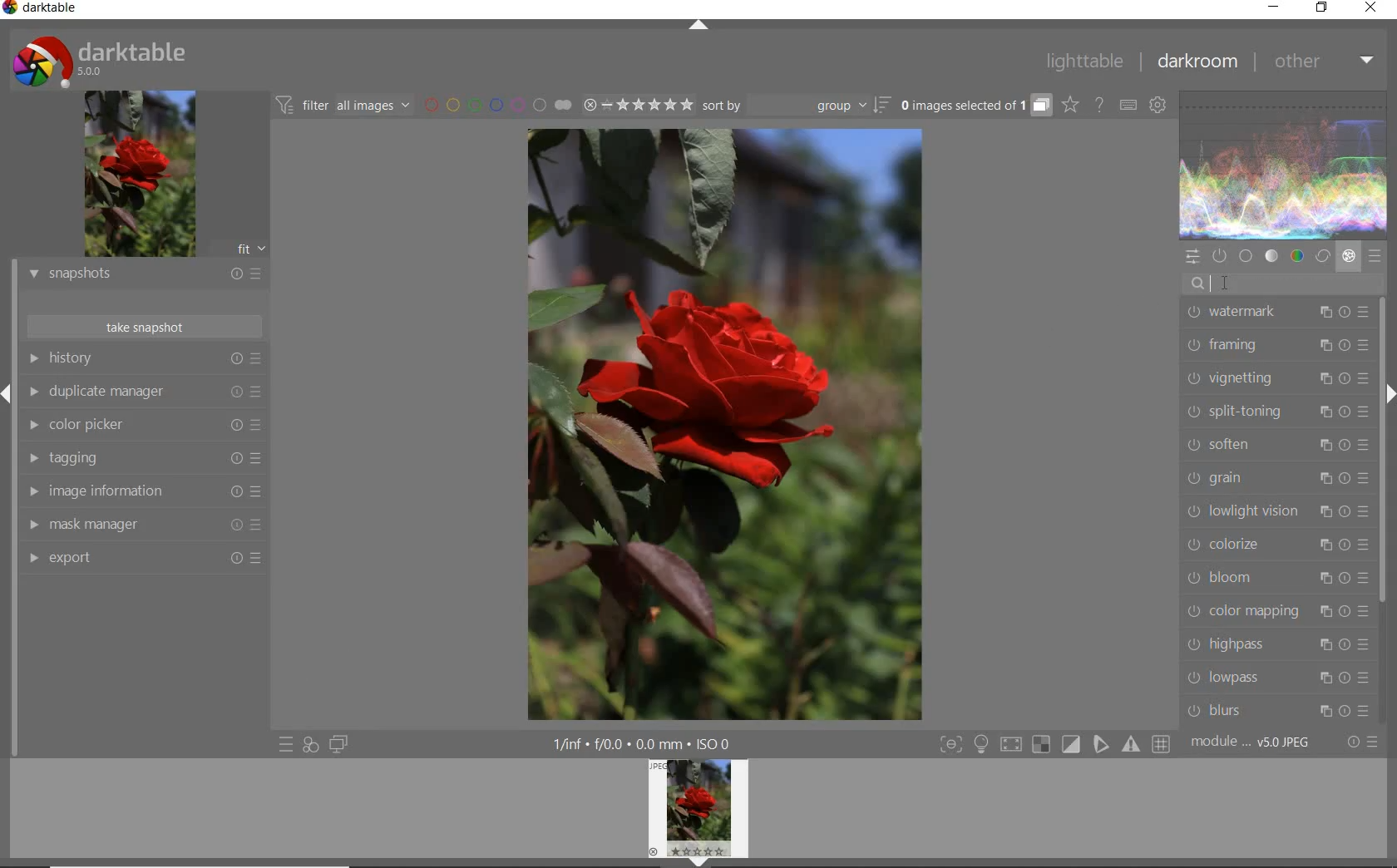 The image size is (1397, 868). I want to click on module..v50JPEG, so click(1256, 742).